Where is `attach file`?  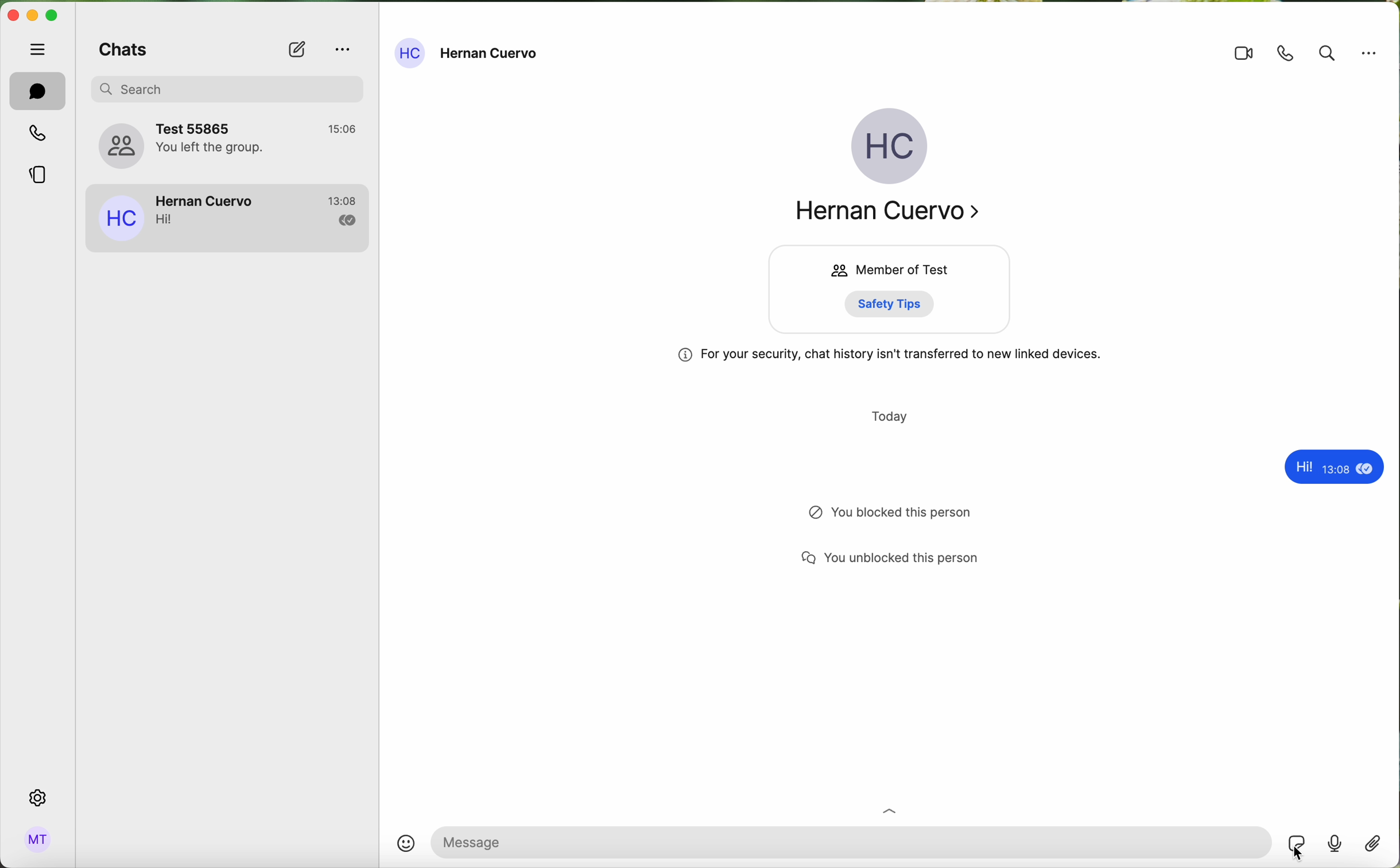
attach file is located at coordinates (1371, 847).